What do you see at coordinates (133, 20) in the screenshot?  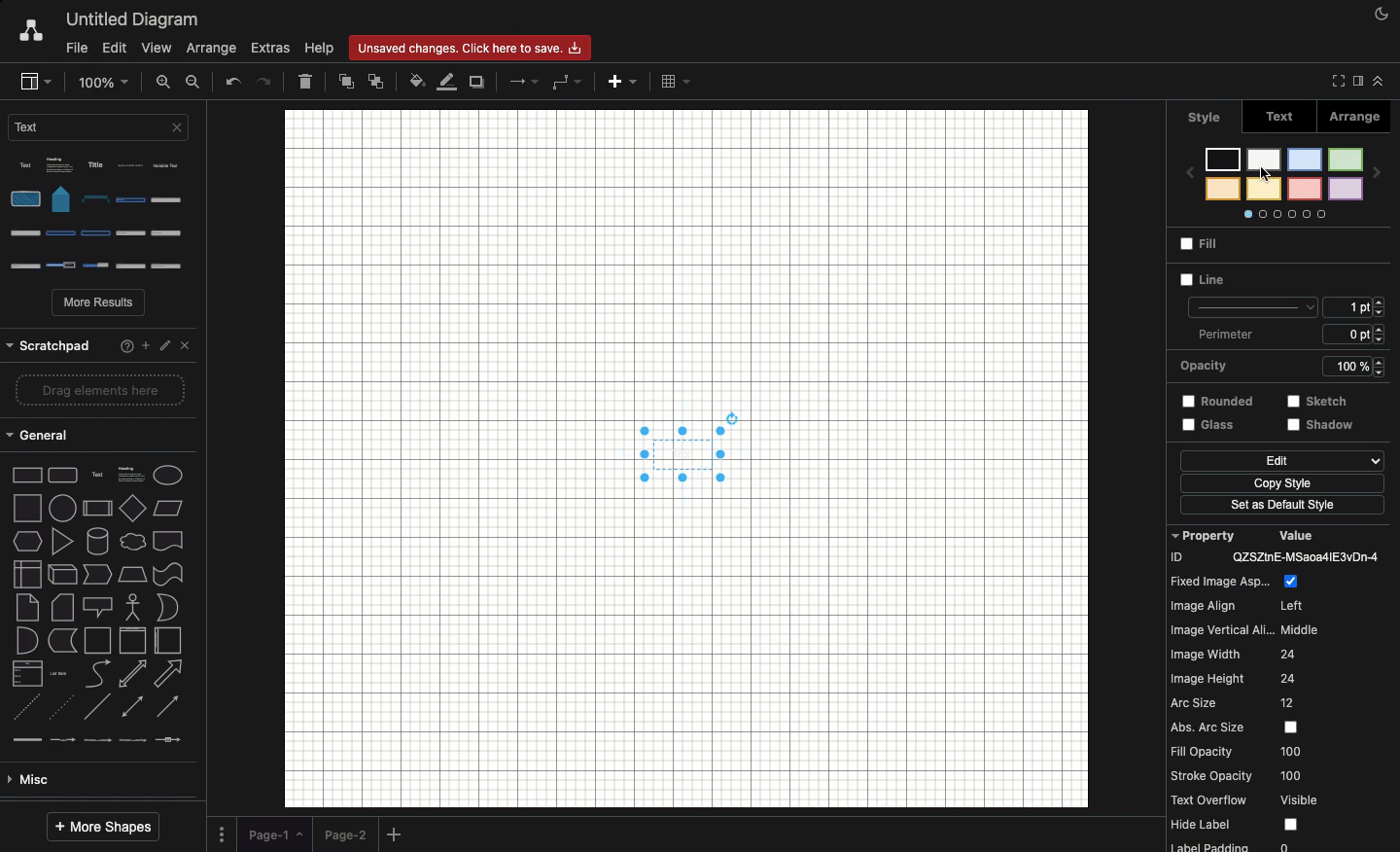 I see `Untitled` at bounding box center [133, 20].